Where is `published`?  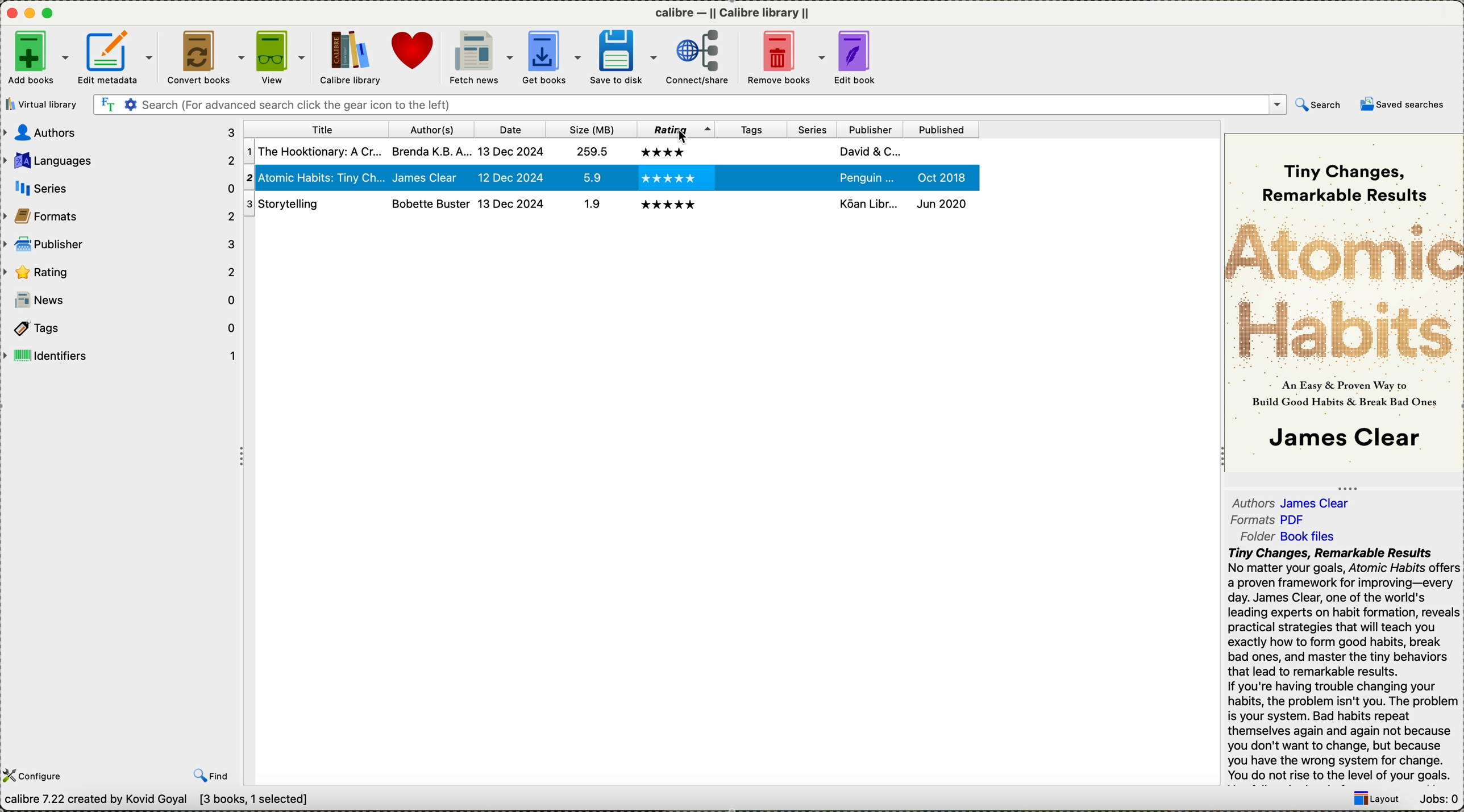
published is located at coordinates (939, 129).